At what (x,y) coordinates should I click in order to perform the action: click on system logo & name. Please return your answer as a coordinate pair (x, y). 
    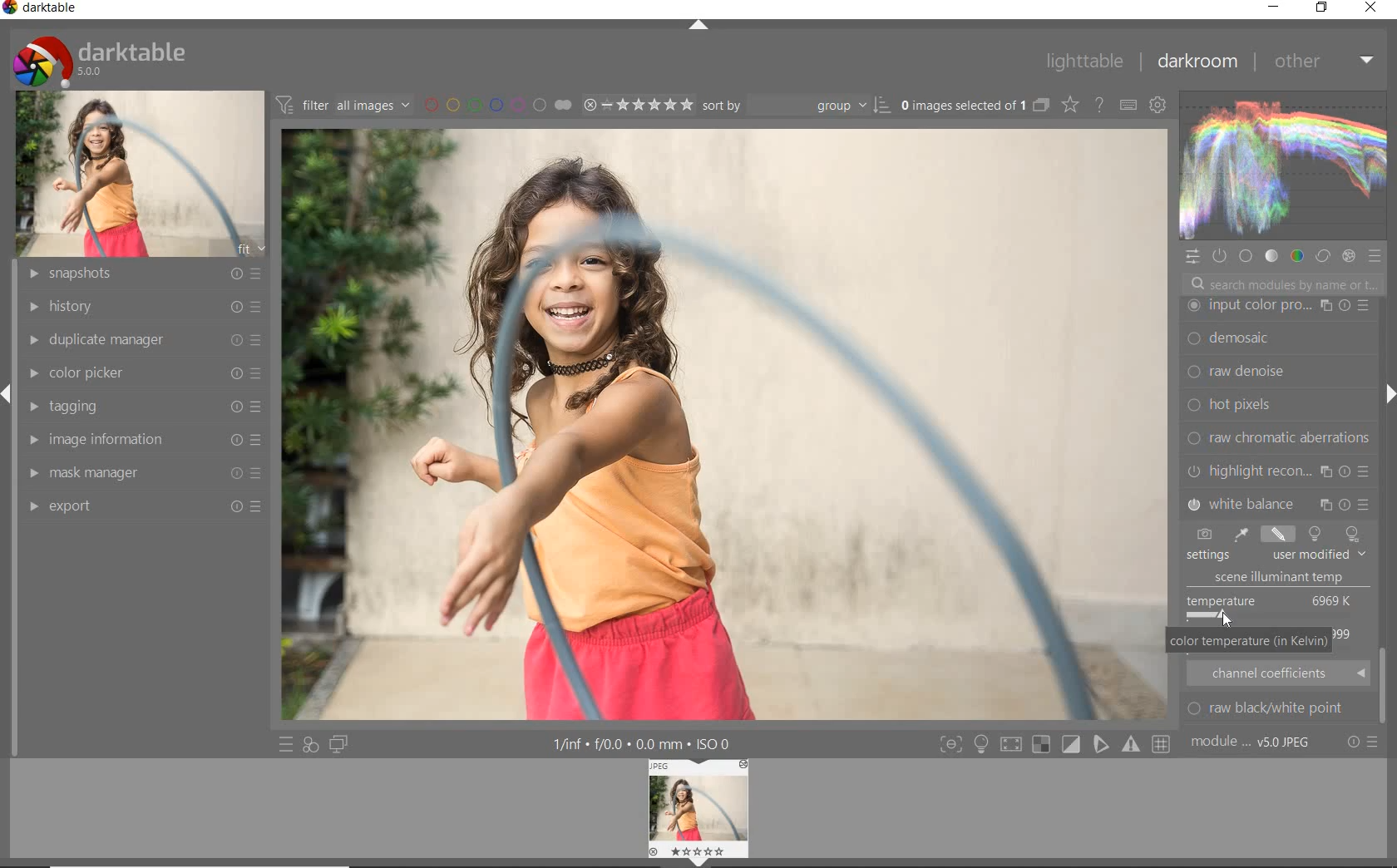
    Looking at the image, I should click on (103, 57).